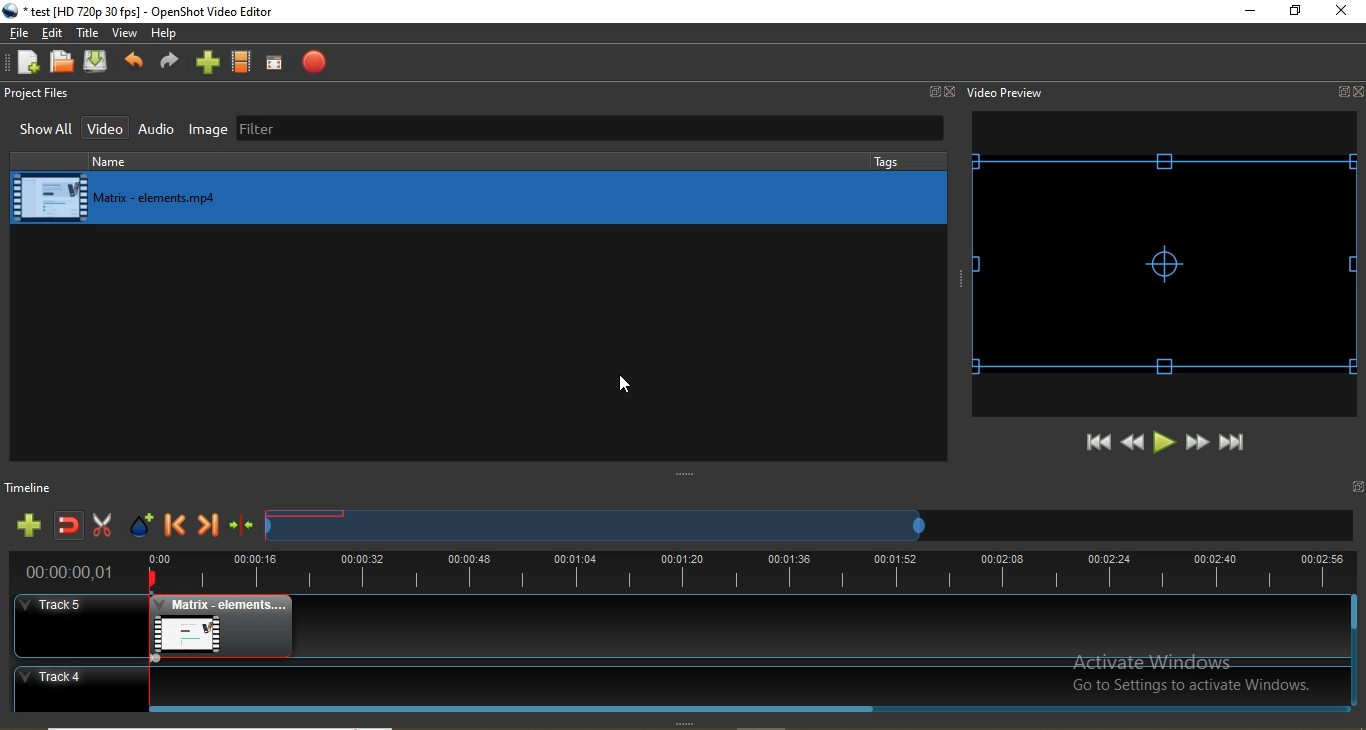  Describe the element at coordinates (952, 91) in the screenshot. I see `Close` at that location.